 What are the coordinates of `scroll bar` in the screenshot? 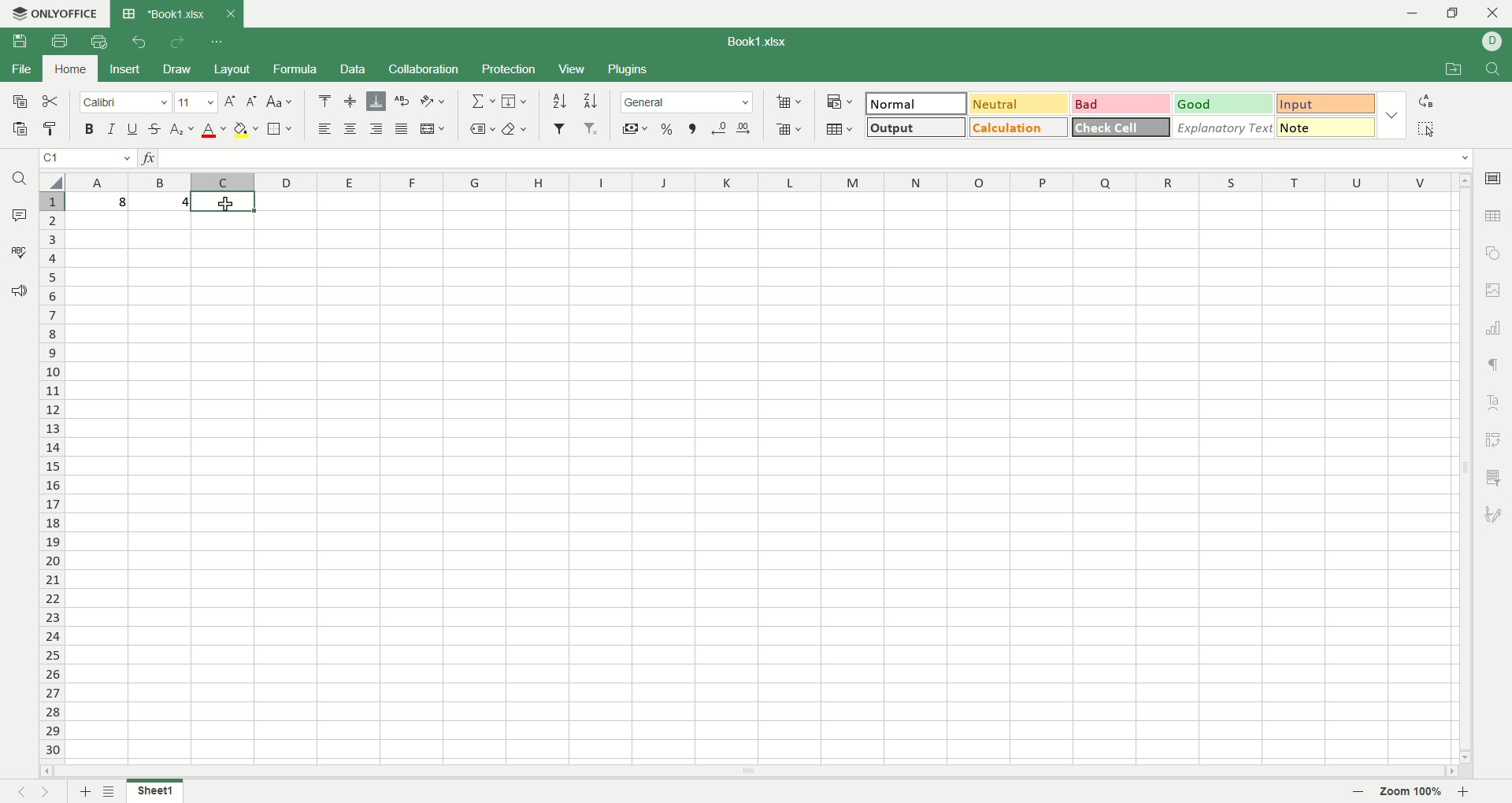 It's located at (746, 773).